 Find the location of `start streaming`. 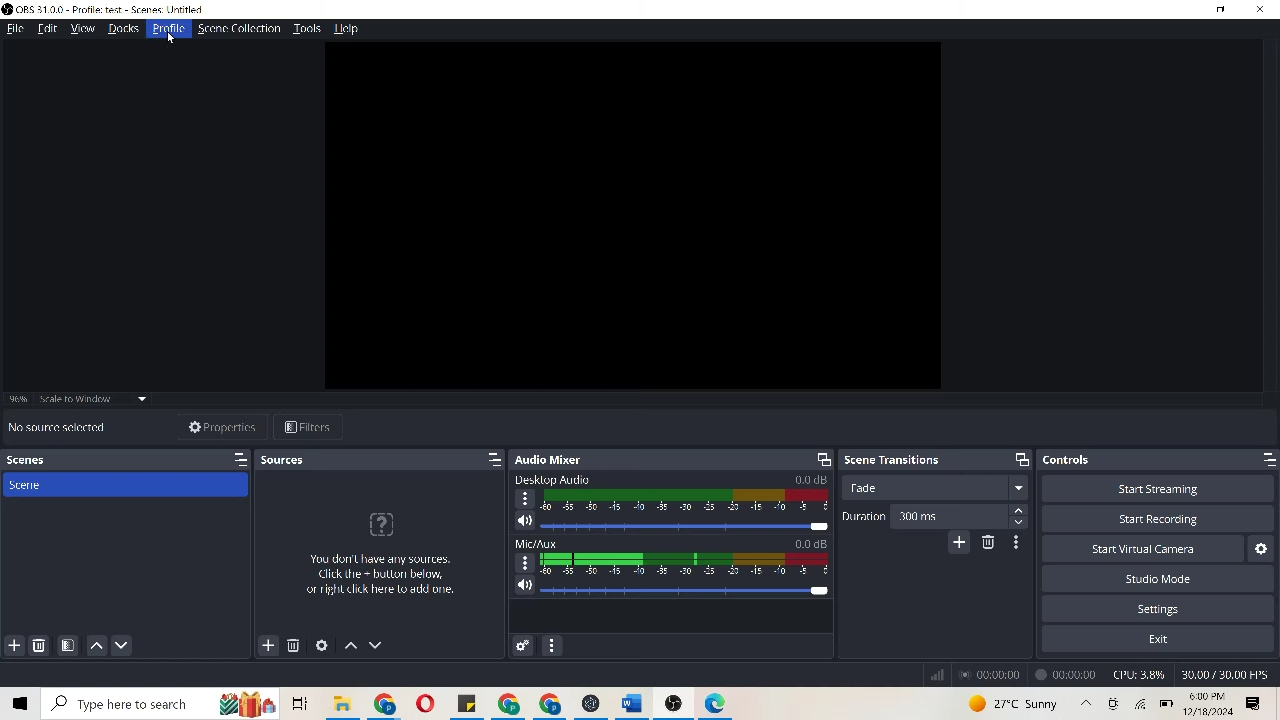

start streaming is located at coordinates (1160, 487).